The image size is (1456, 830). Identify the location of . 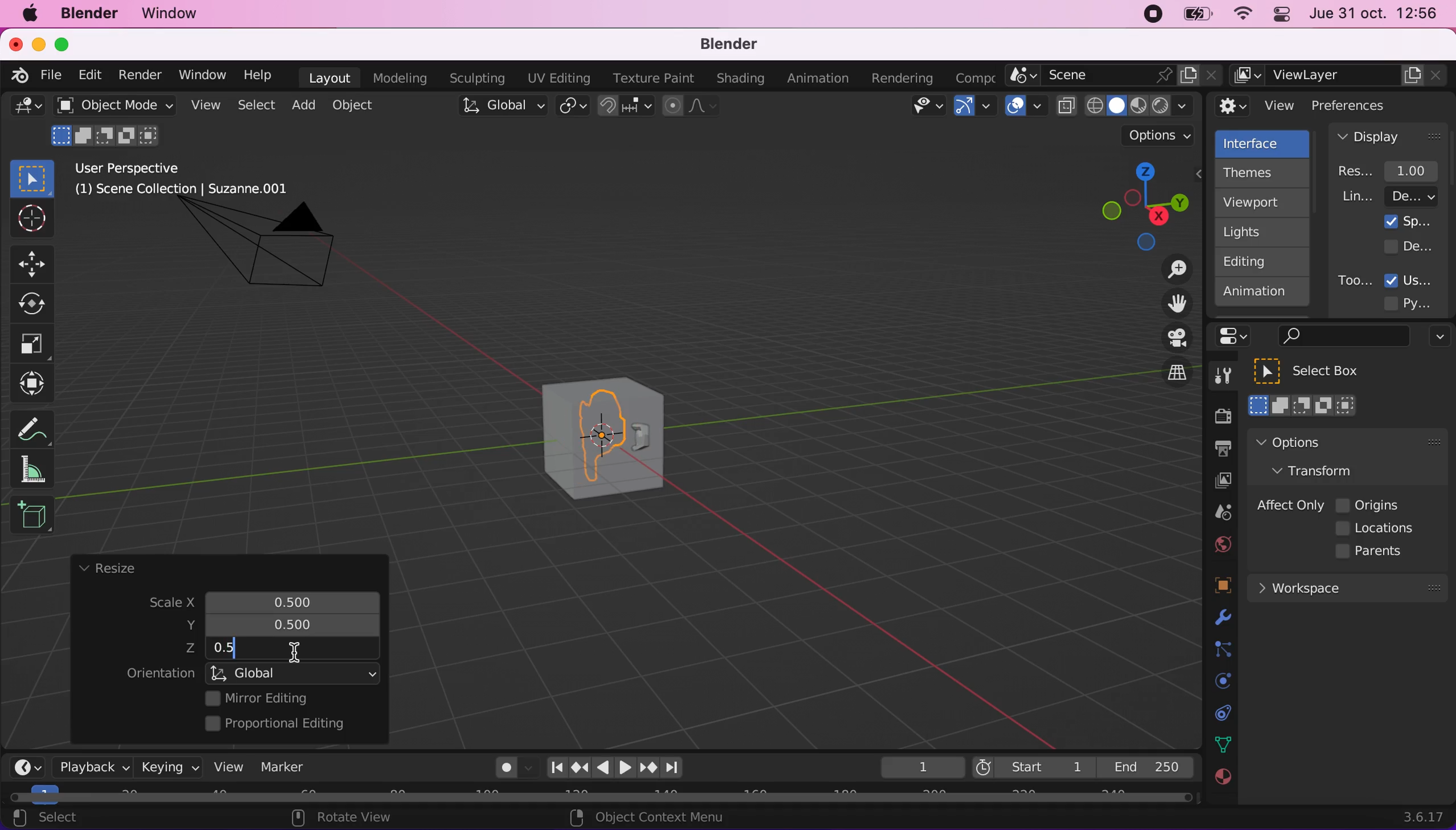
(38, 304).